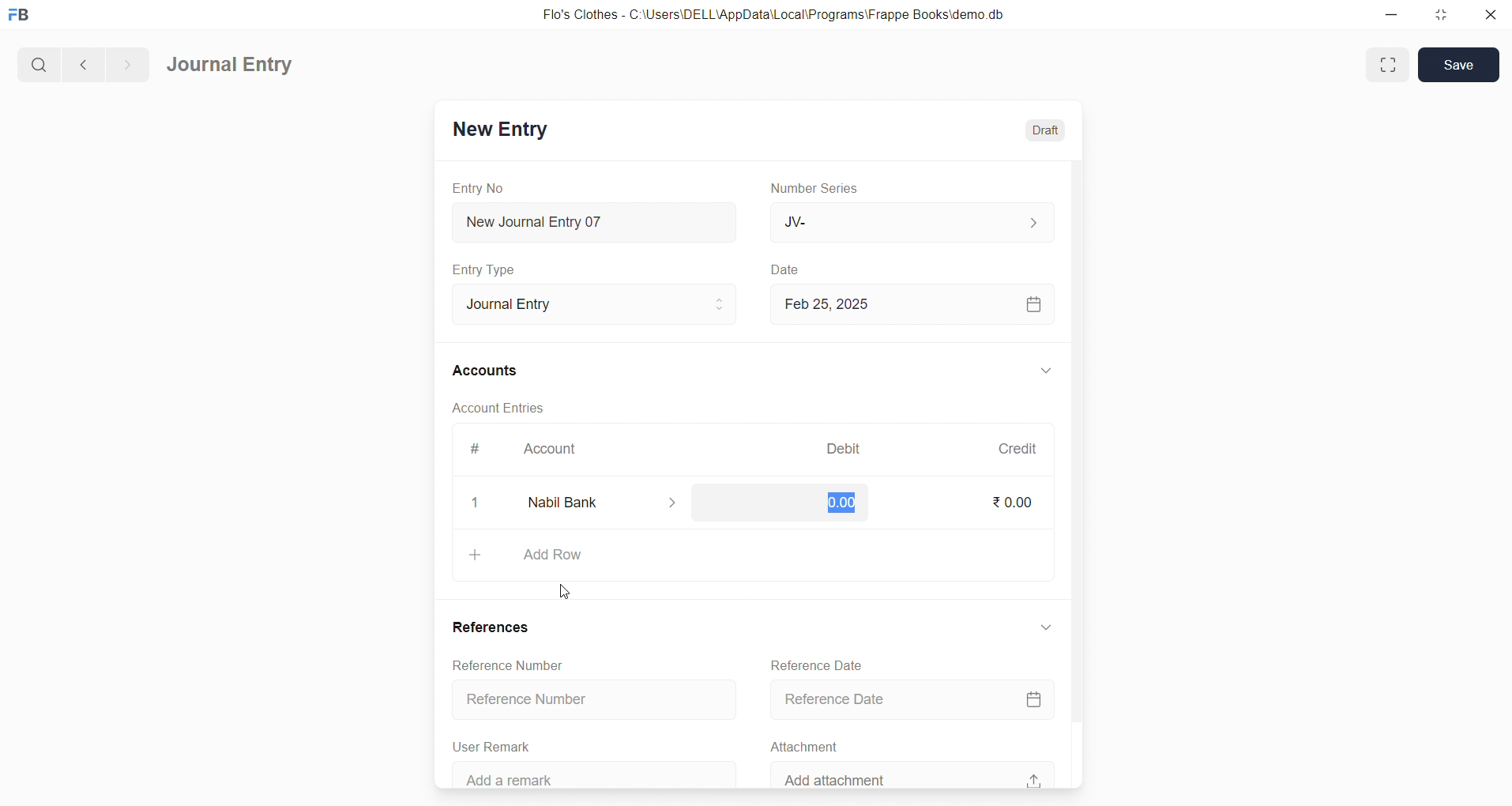 This screenshot has height=806, width=1512. I want to click on Accounts, so click(486, 372).